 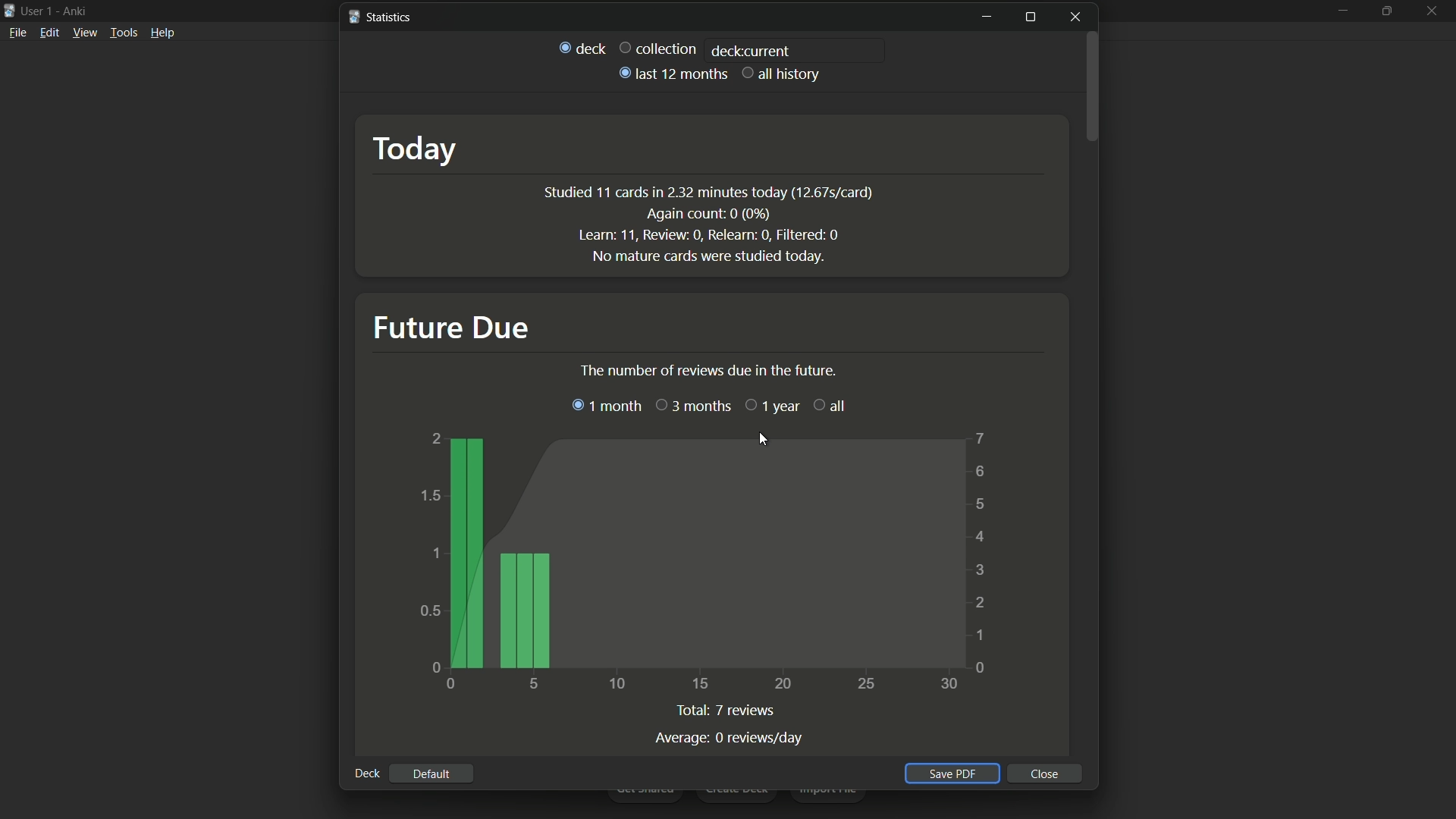 What do you see at coordinates (1389, 11) in the screenshot?
I see `maximize` at bounding box center [1389, 11].